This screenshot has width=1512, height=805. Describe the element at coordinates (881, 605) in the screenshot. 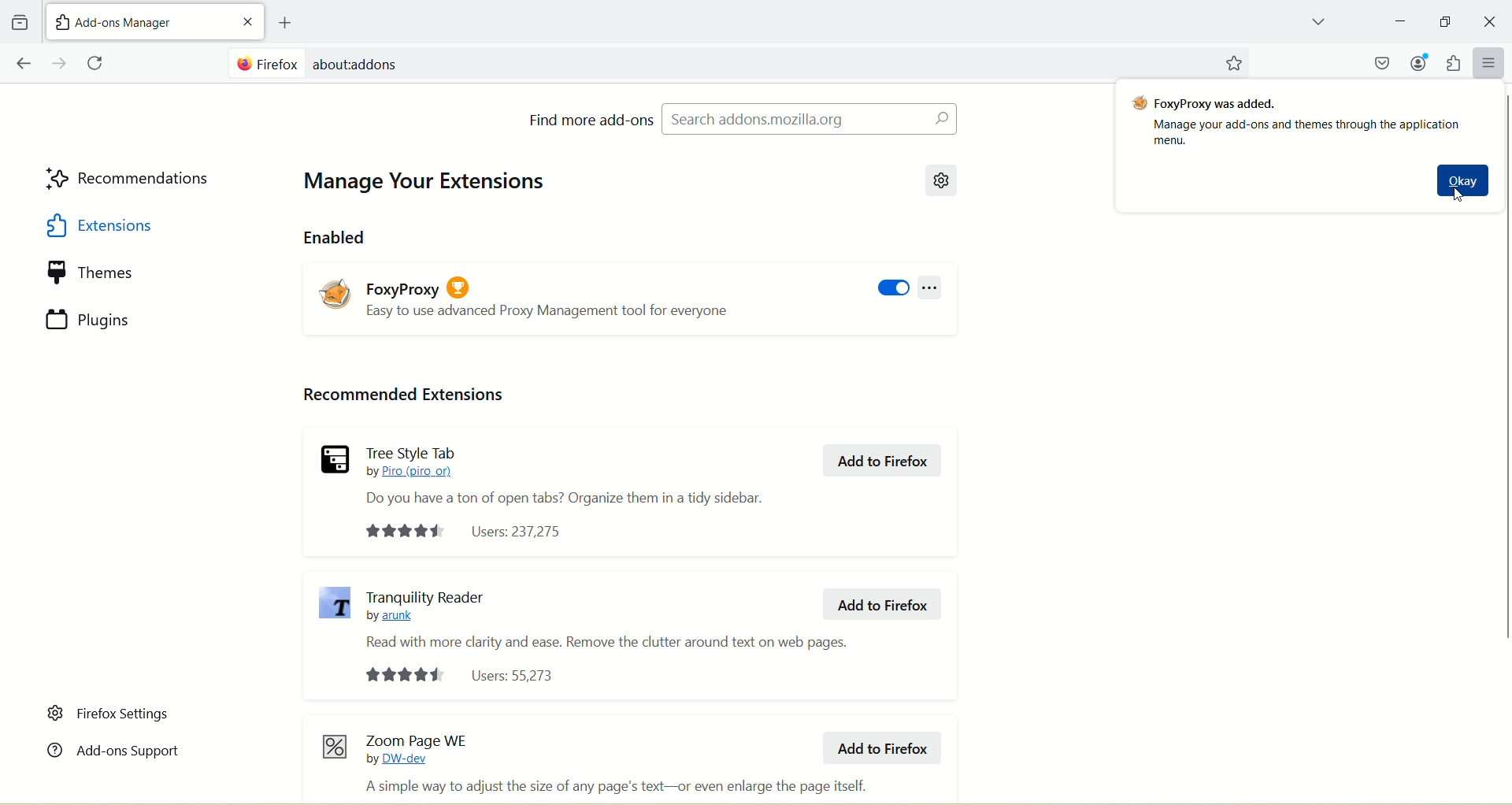

I see `Add to firefox` at that location.